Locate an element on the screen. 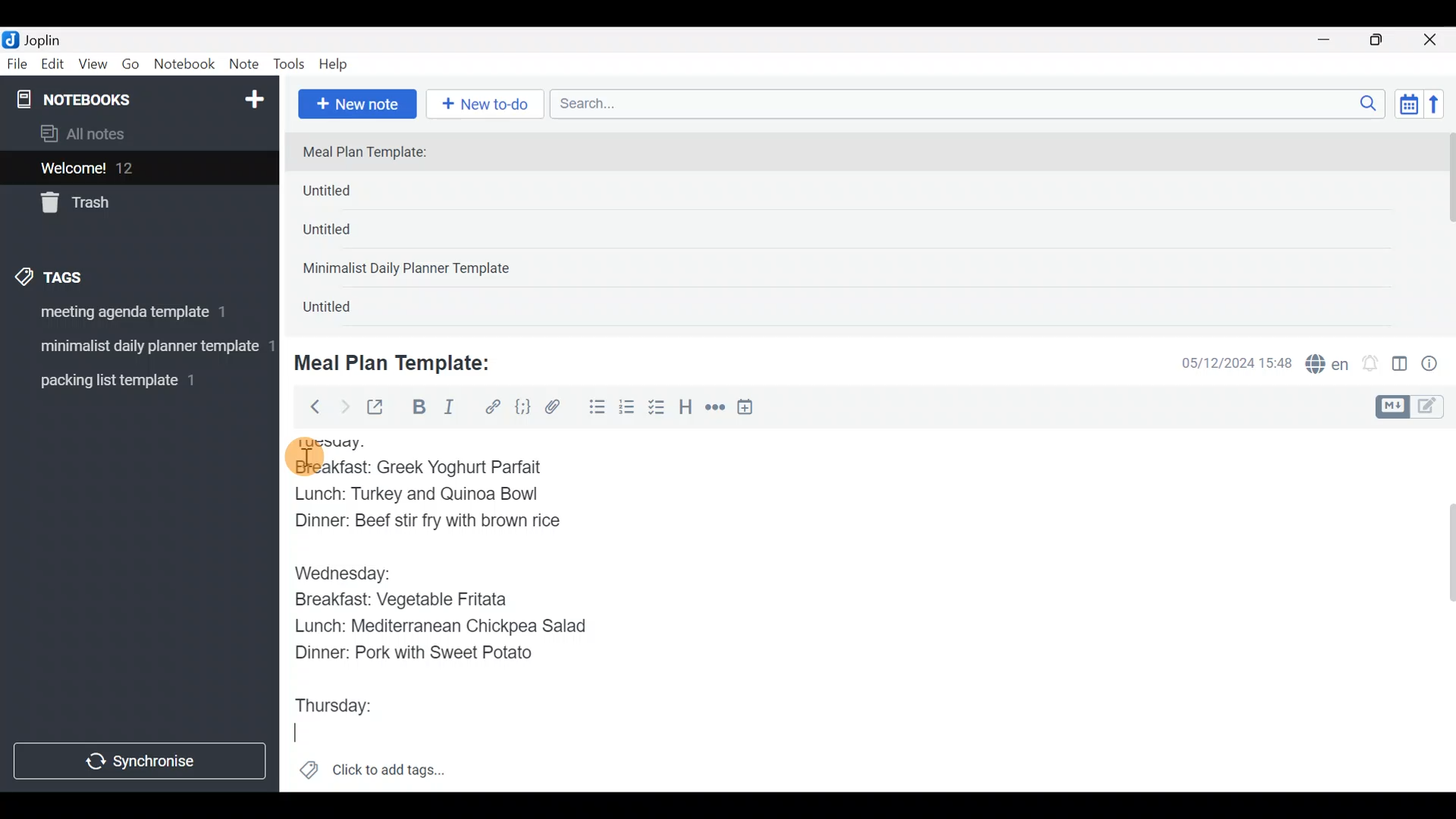  Tools is located at coordinates (290, 65).